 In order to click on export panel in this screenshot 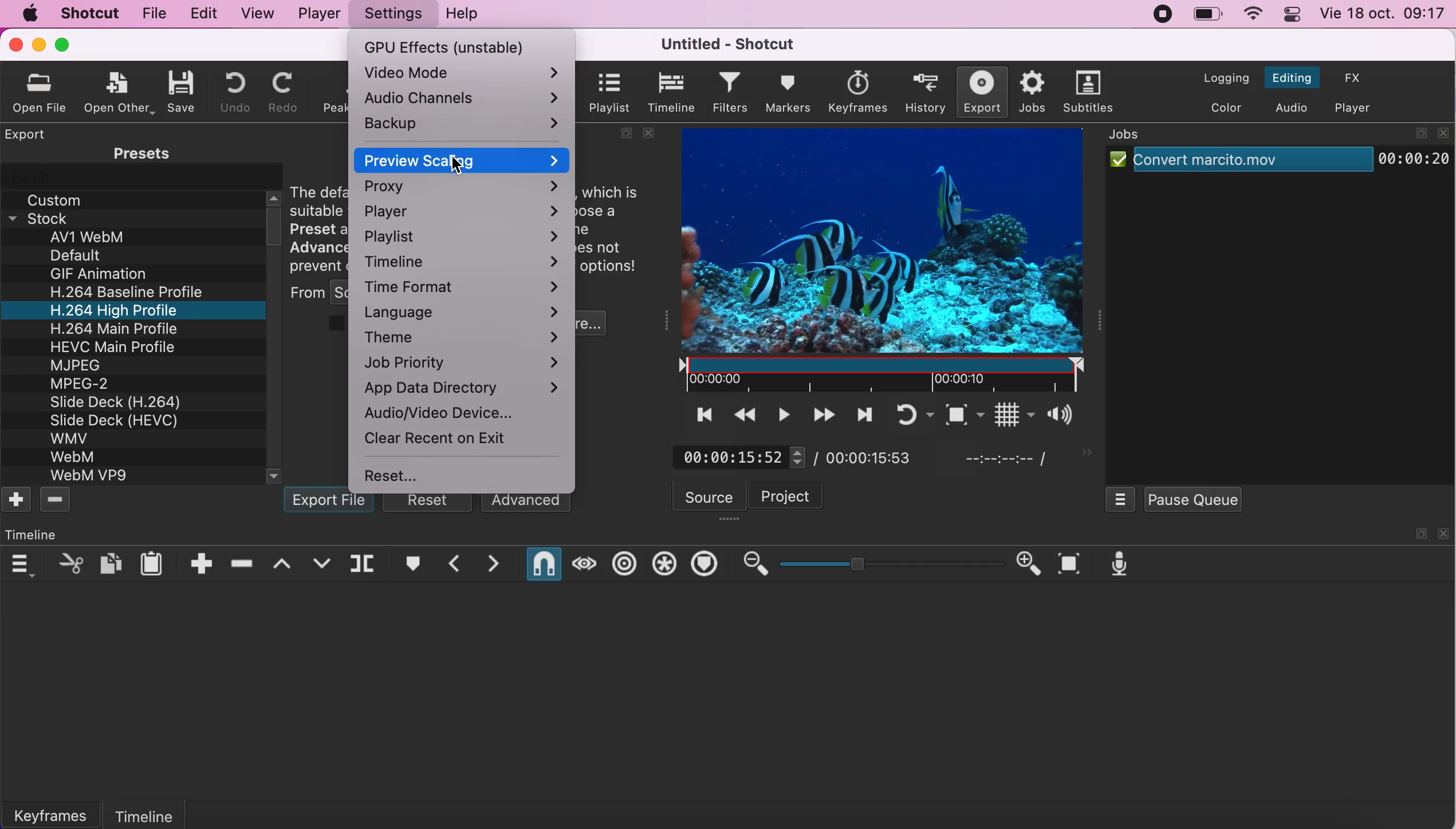, I will do `click(26, 134)`.